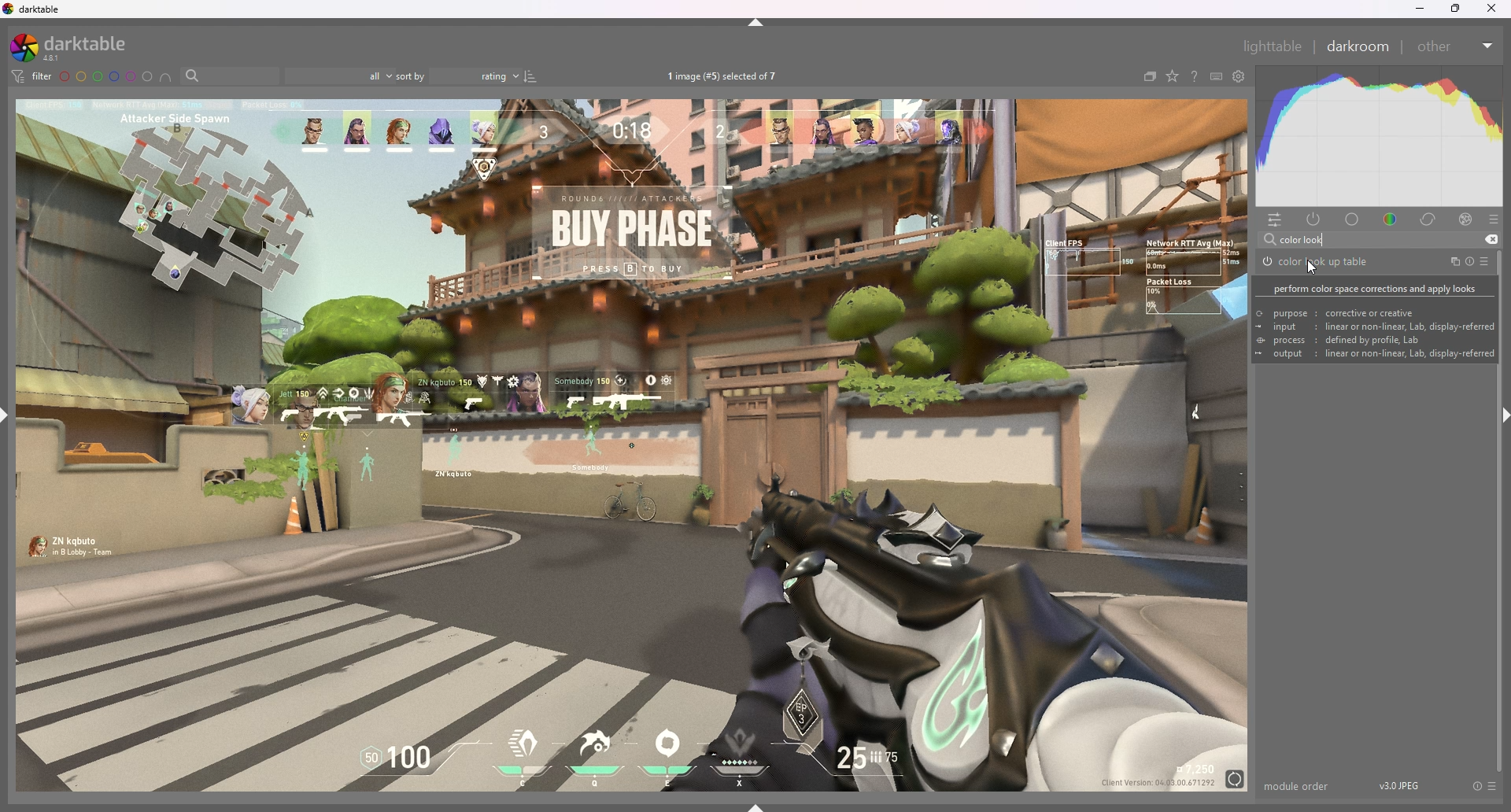 The height and width of the screenshot is (812, 1511). I want to click on cursor, so click(1312, 266).